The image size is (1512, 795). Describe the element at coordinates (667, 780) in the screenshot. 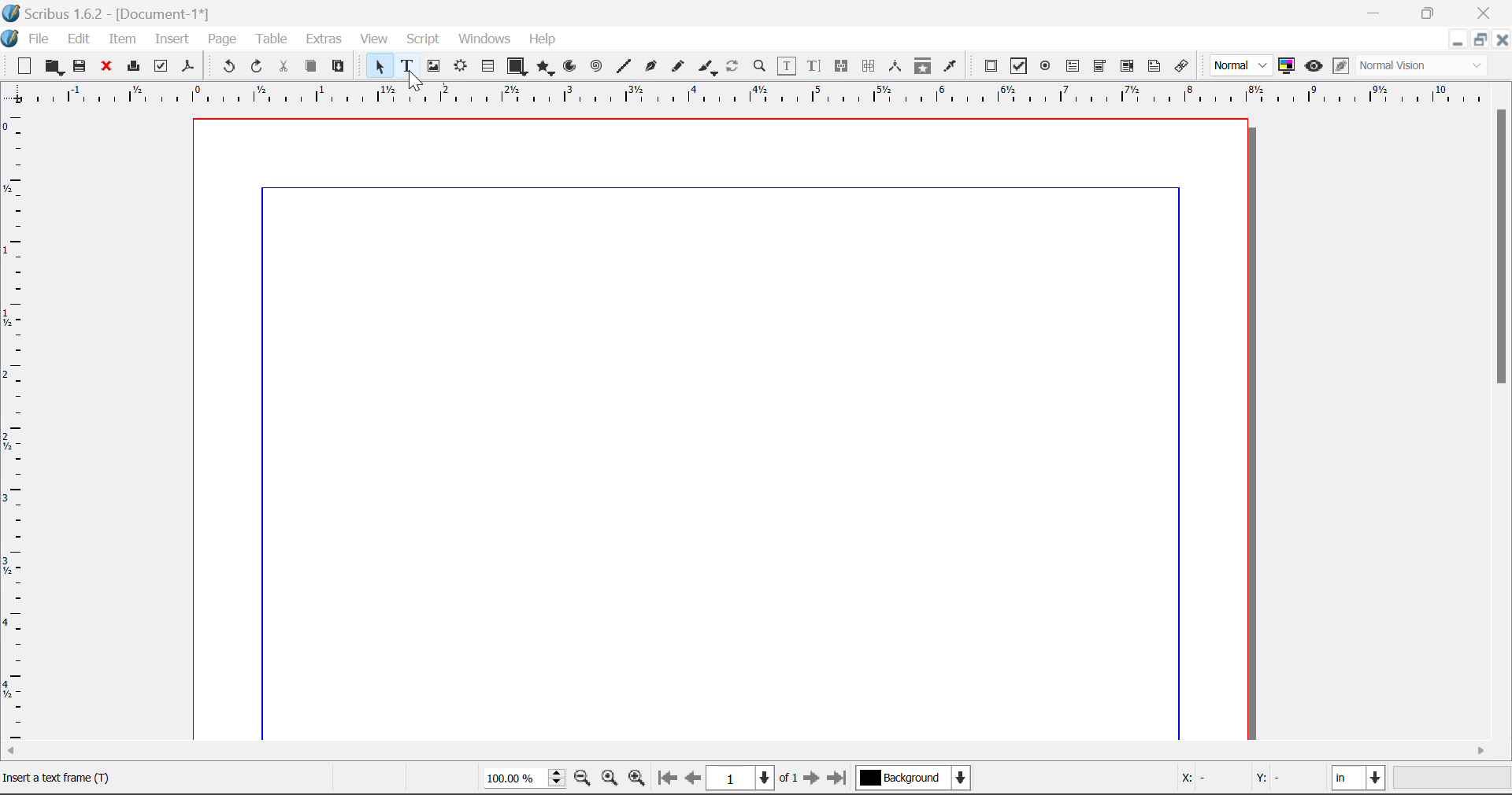

I see `First Page` at that location.